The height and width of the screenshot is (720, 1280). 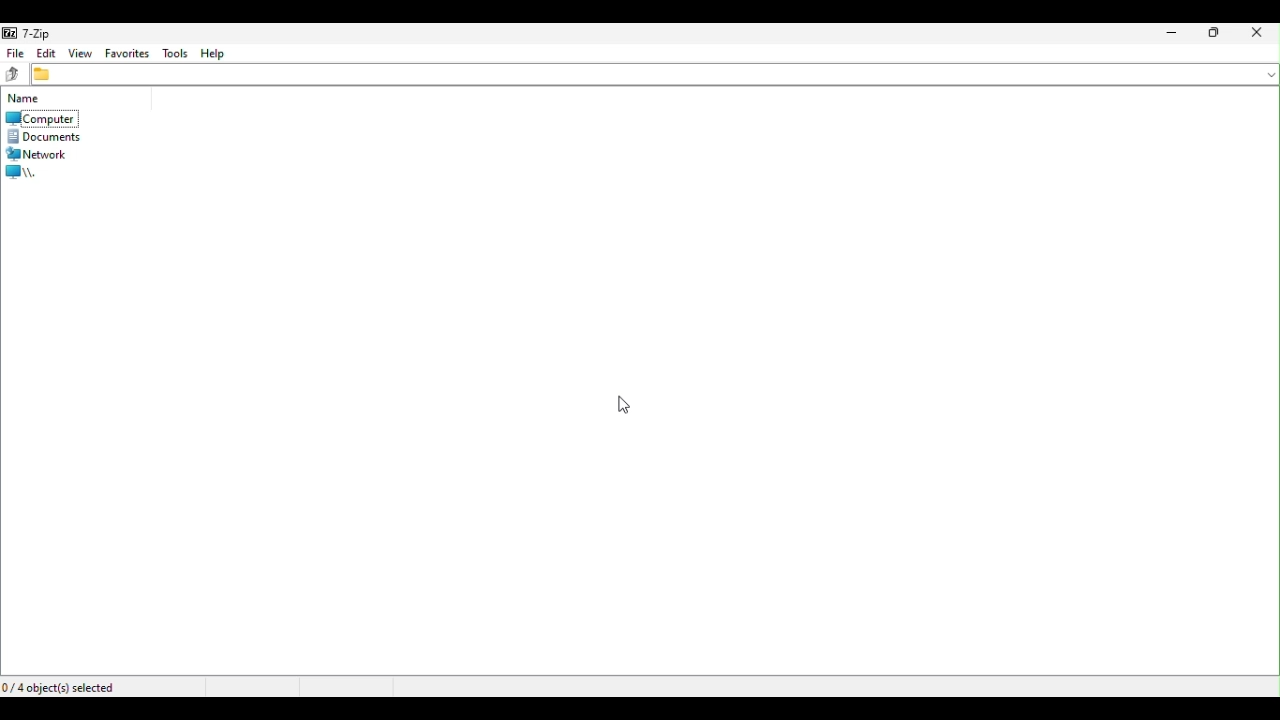 I want to click on 7 zip, so click(x=30, y=33).